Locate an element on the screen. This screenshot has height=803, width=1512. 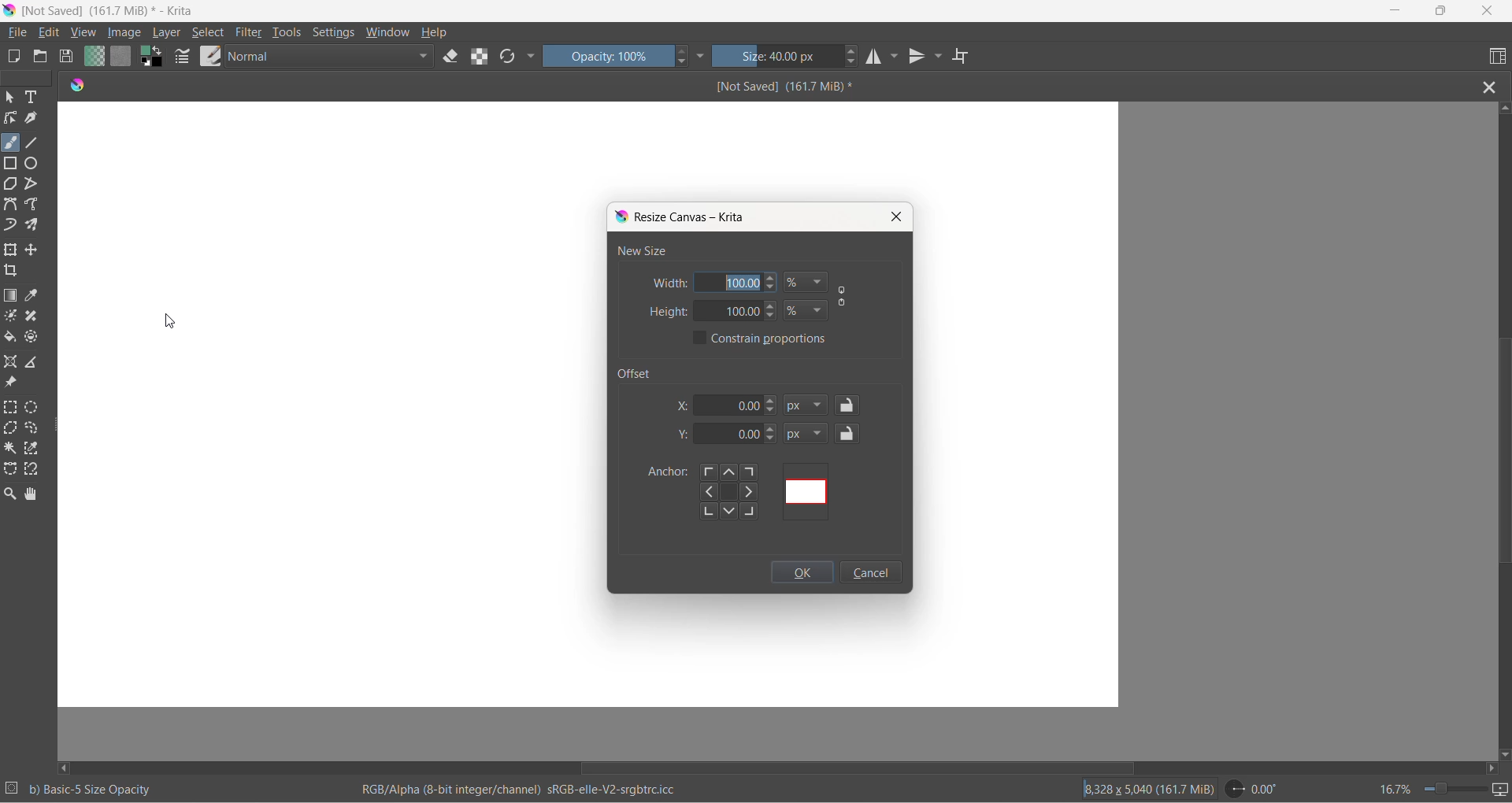
rotation is located at coordinates (1258, 789).